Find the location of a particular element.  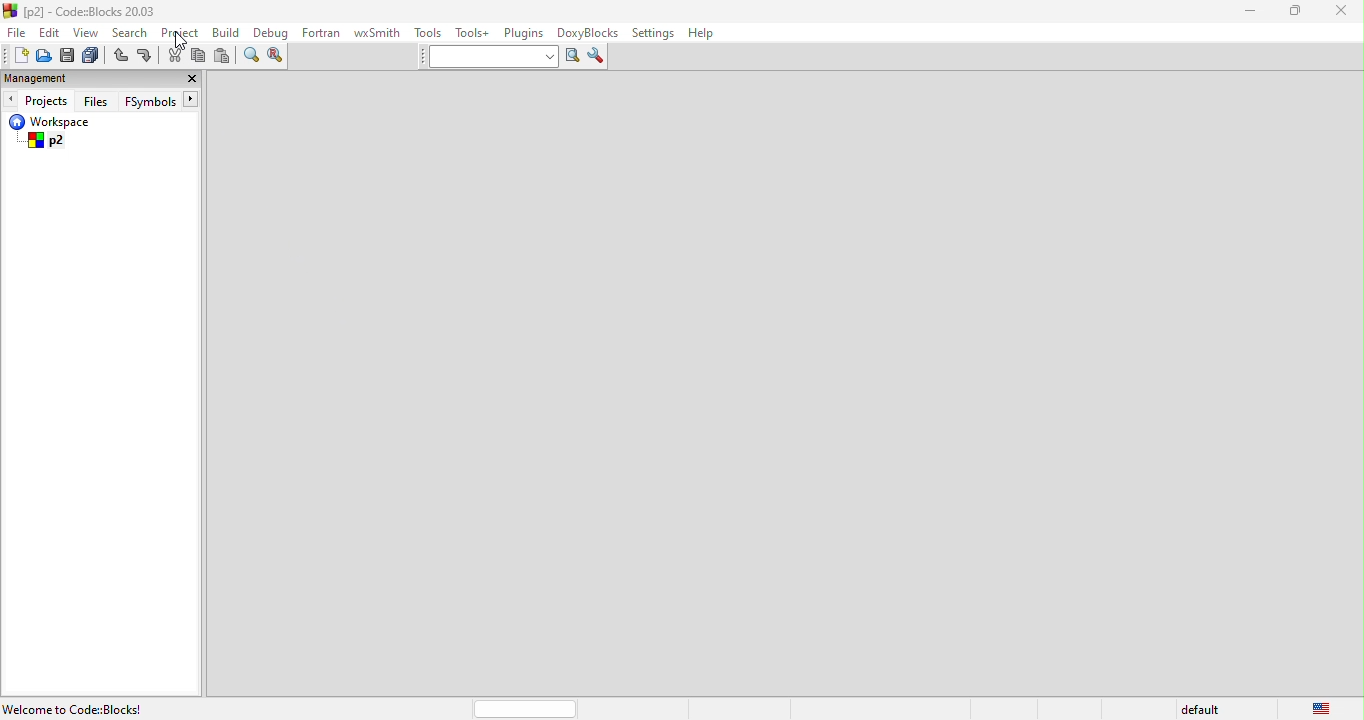

close is located at coordinates (1345, 14).